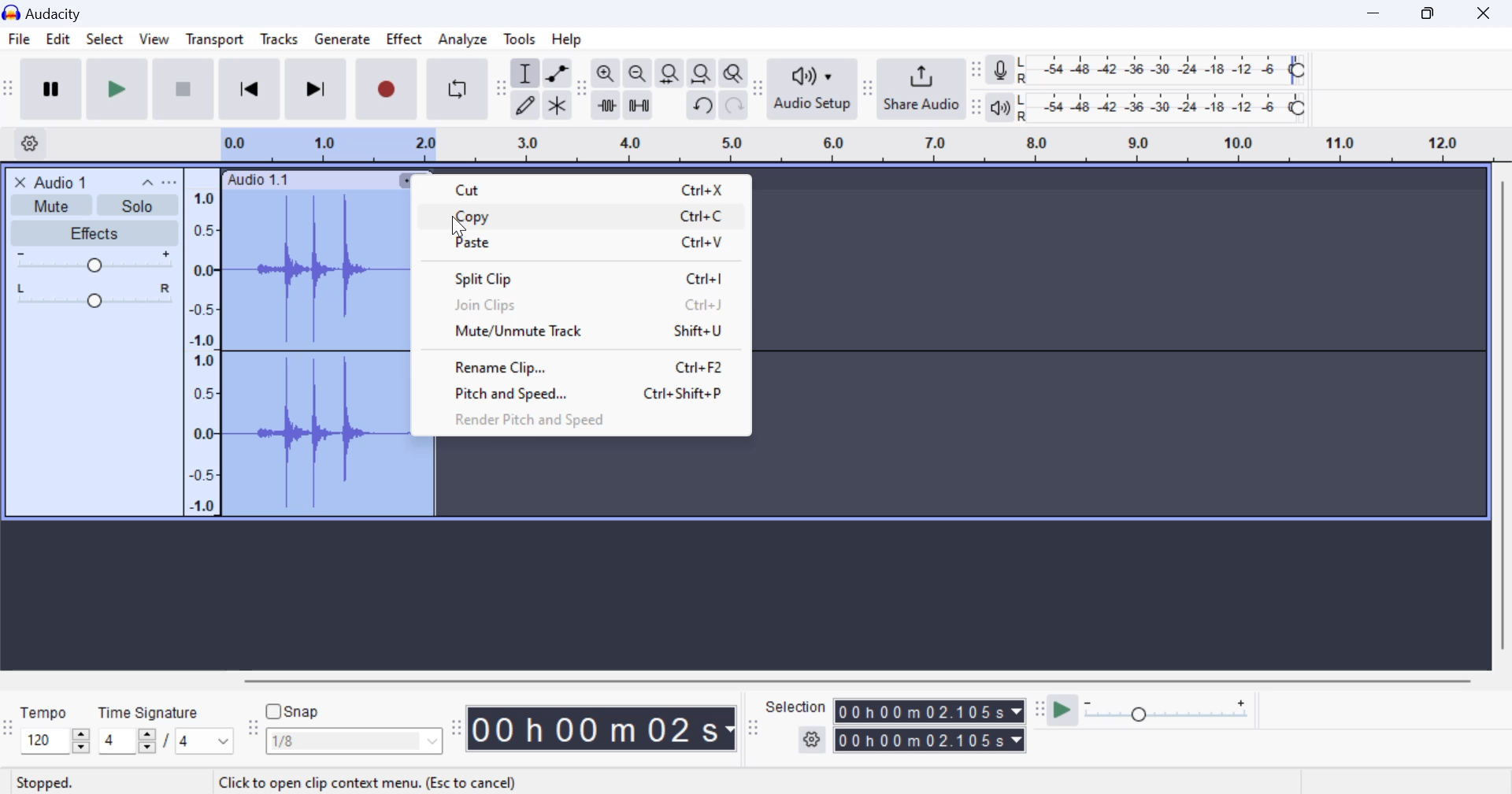  Describe the element at coordinates (702, 74) in the screenshot. I see `fit project to width` at that location.